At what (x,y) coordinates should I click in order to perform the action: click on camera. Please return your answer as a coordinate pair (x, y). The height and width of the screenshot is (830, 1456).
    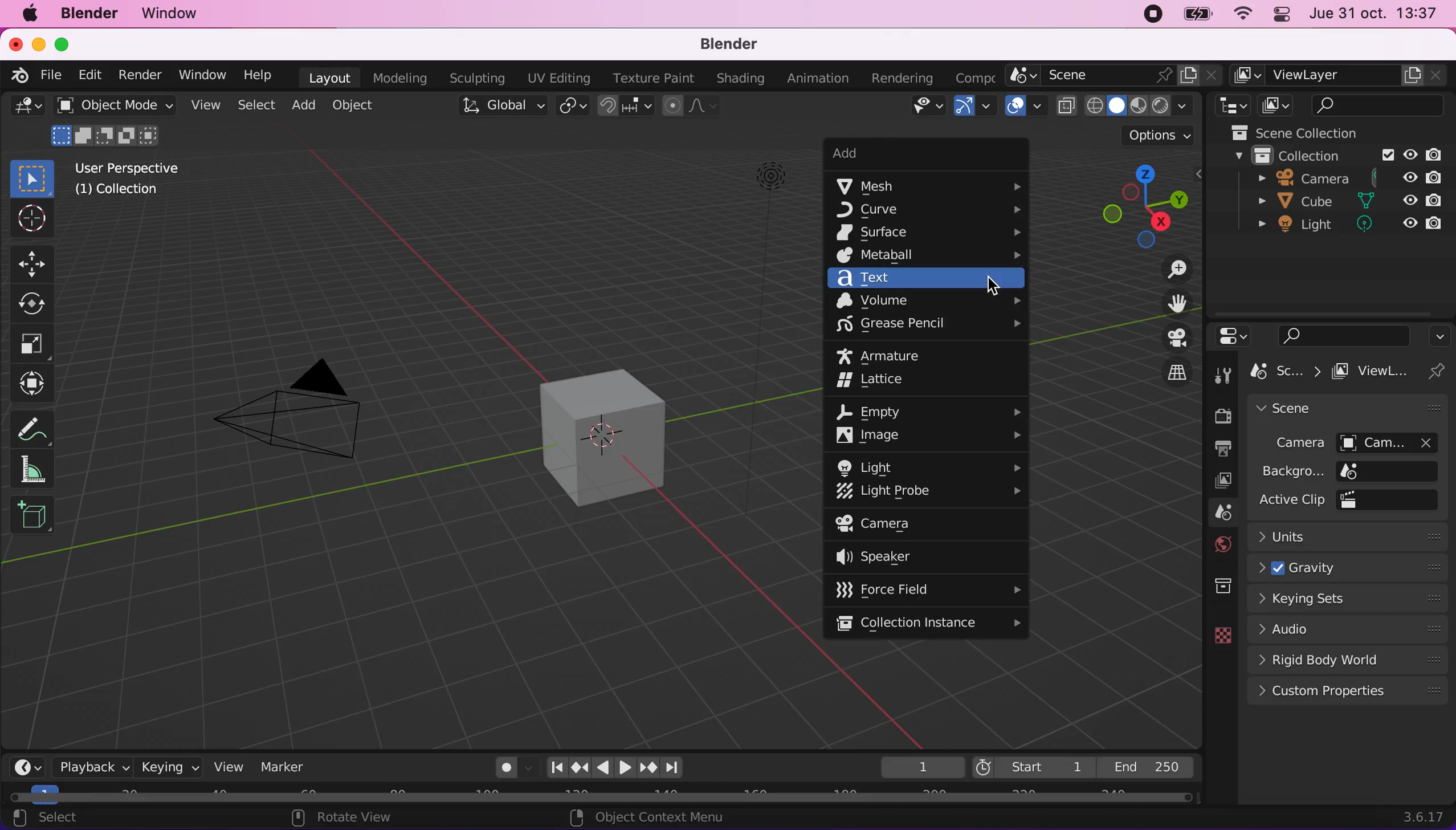
    Looking at the image, I should click on (1349, 442).